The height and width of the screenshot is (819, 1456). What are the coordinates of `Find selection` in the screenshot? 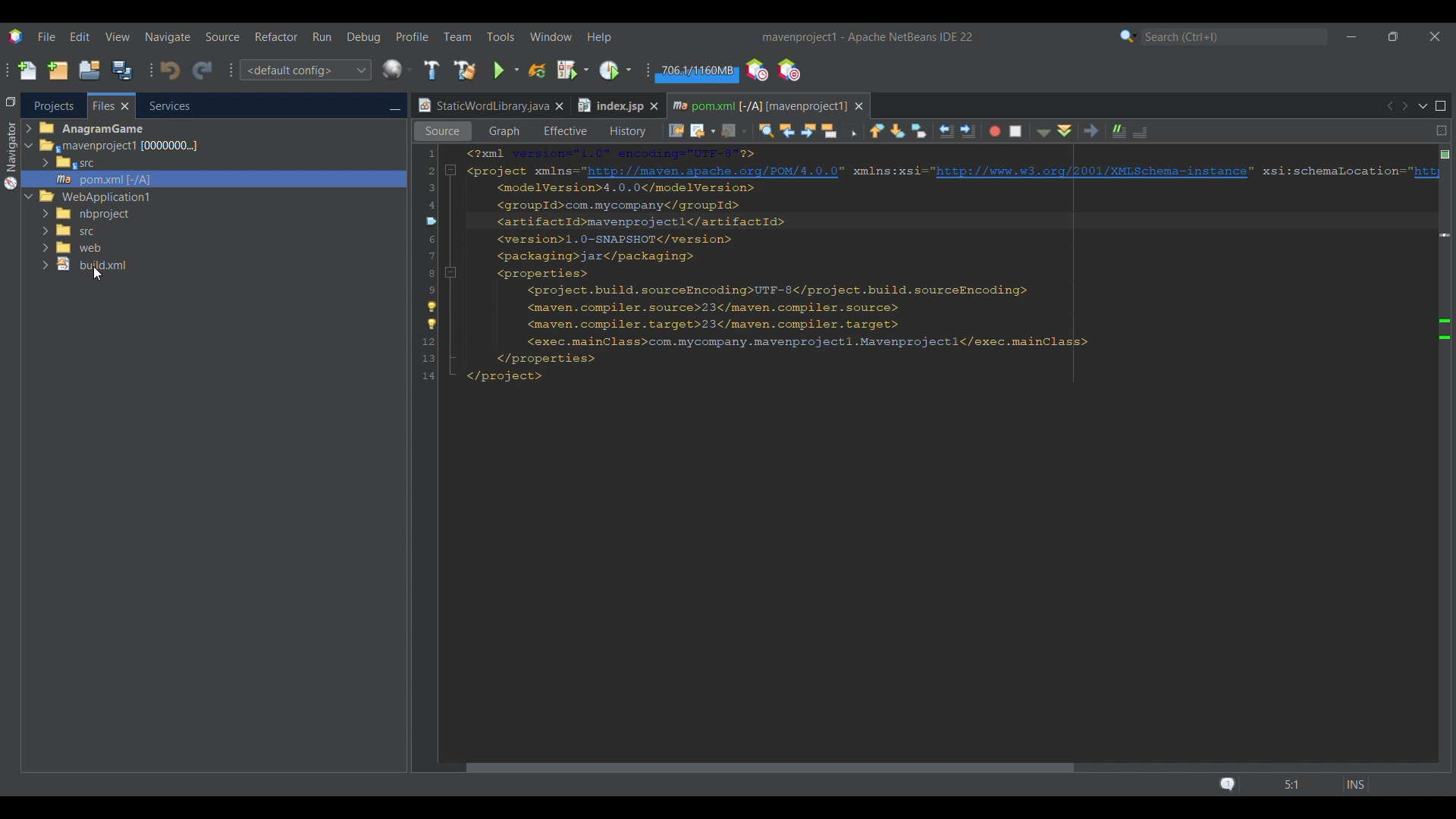 It's located at (762, 130).